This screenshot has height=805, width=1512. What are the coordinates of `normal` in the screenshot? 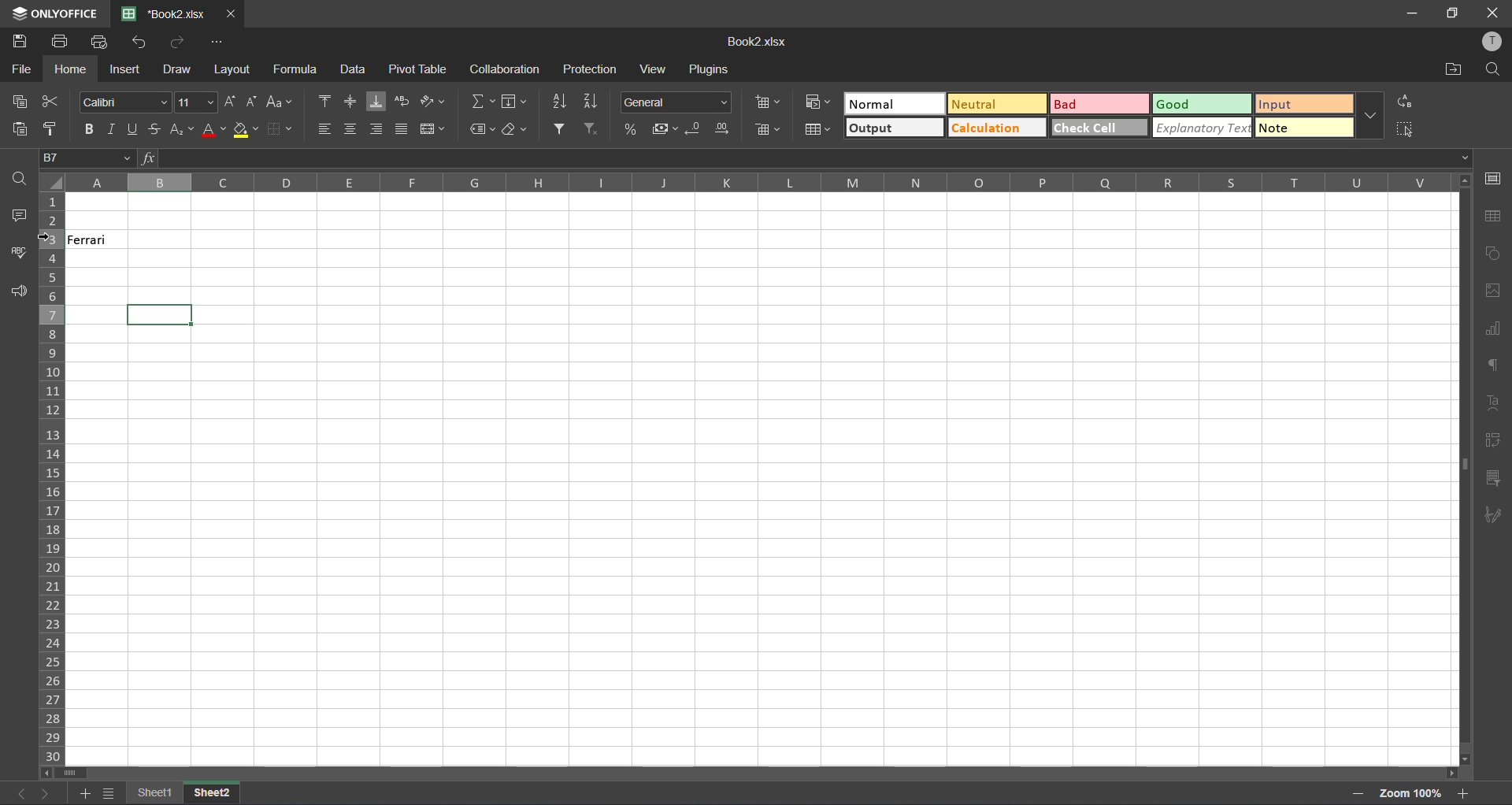 It's located at (879, 102).